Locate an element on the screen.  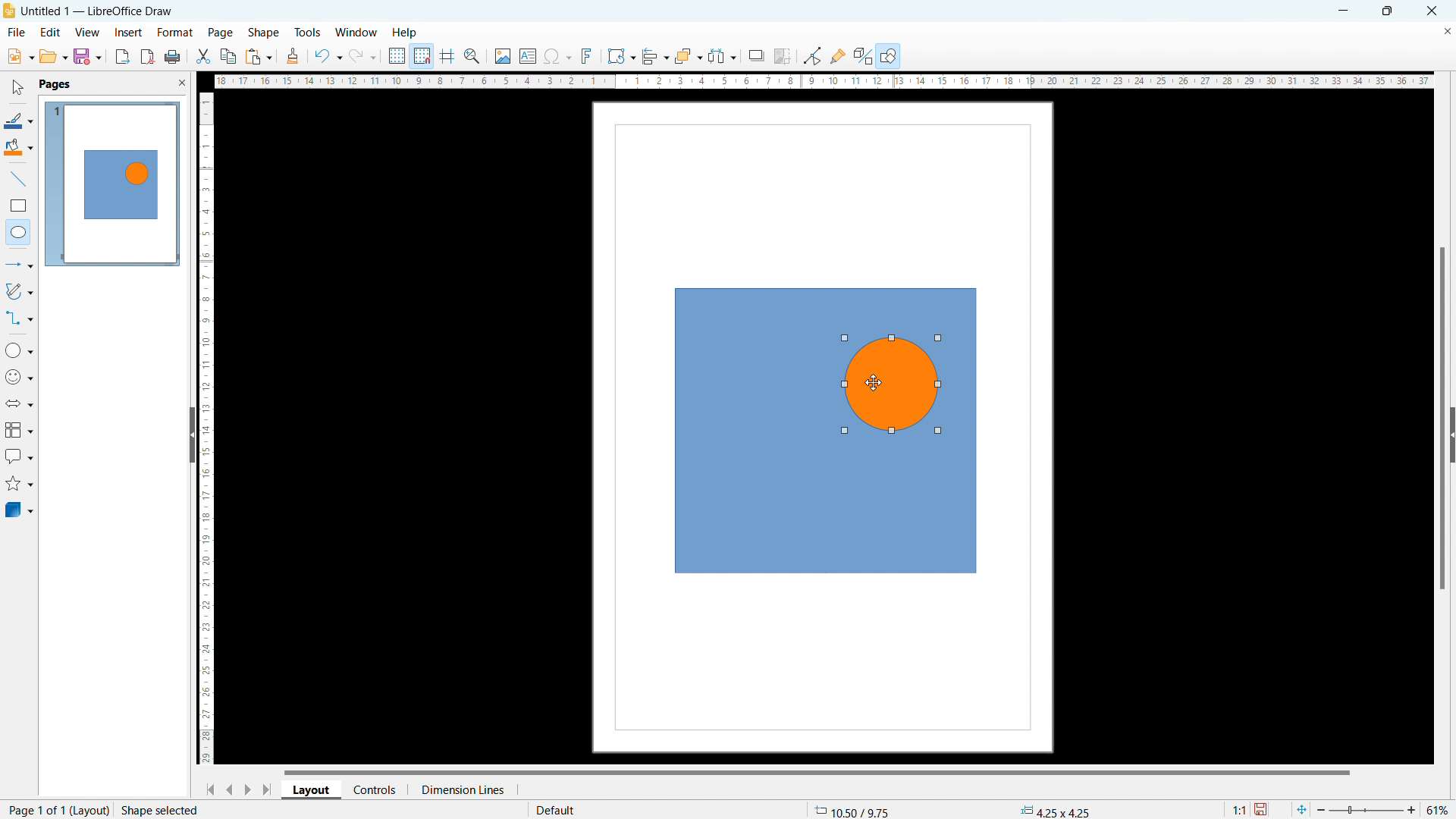
display grid is located at coordinates (396, 56).